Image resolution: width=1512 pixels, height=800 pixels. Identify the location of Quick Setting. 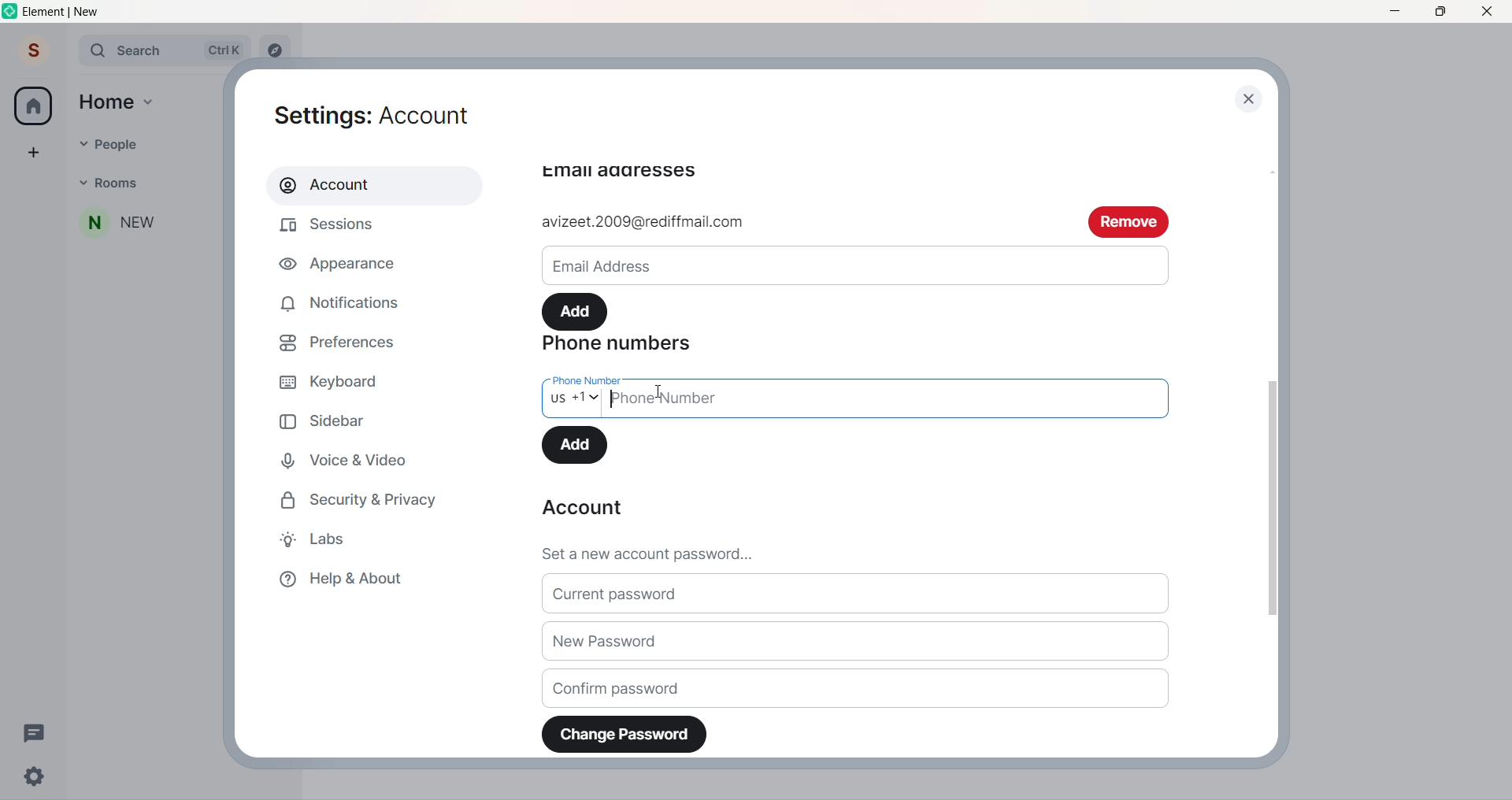
(36, 778).